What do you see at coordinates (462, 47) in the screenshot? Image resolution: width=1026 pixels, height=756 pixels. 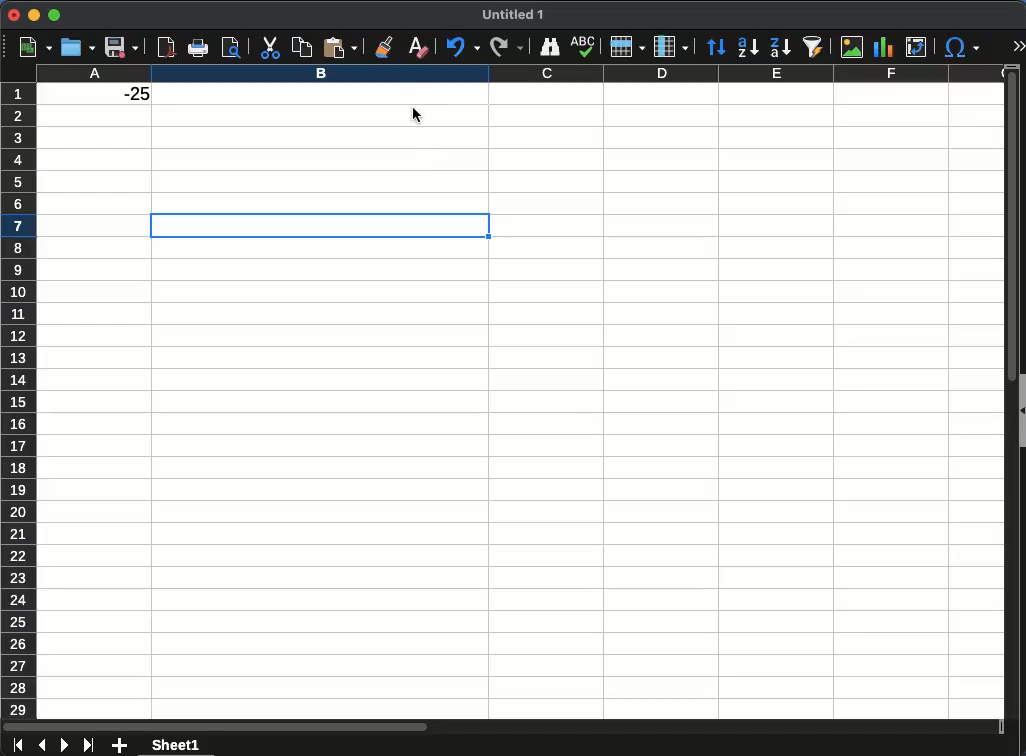 I see `undo` at bounding box center [462, 47].